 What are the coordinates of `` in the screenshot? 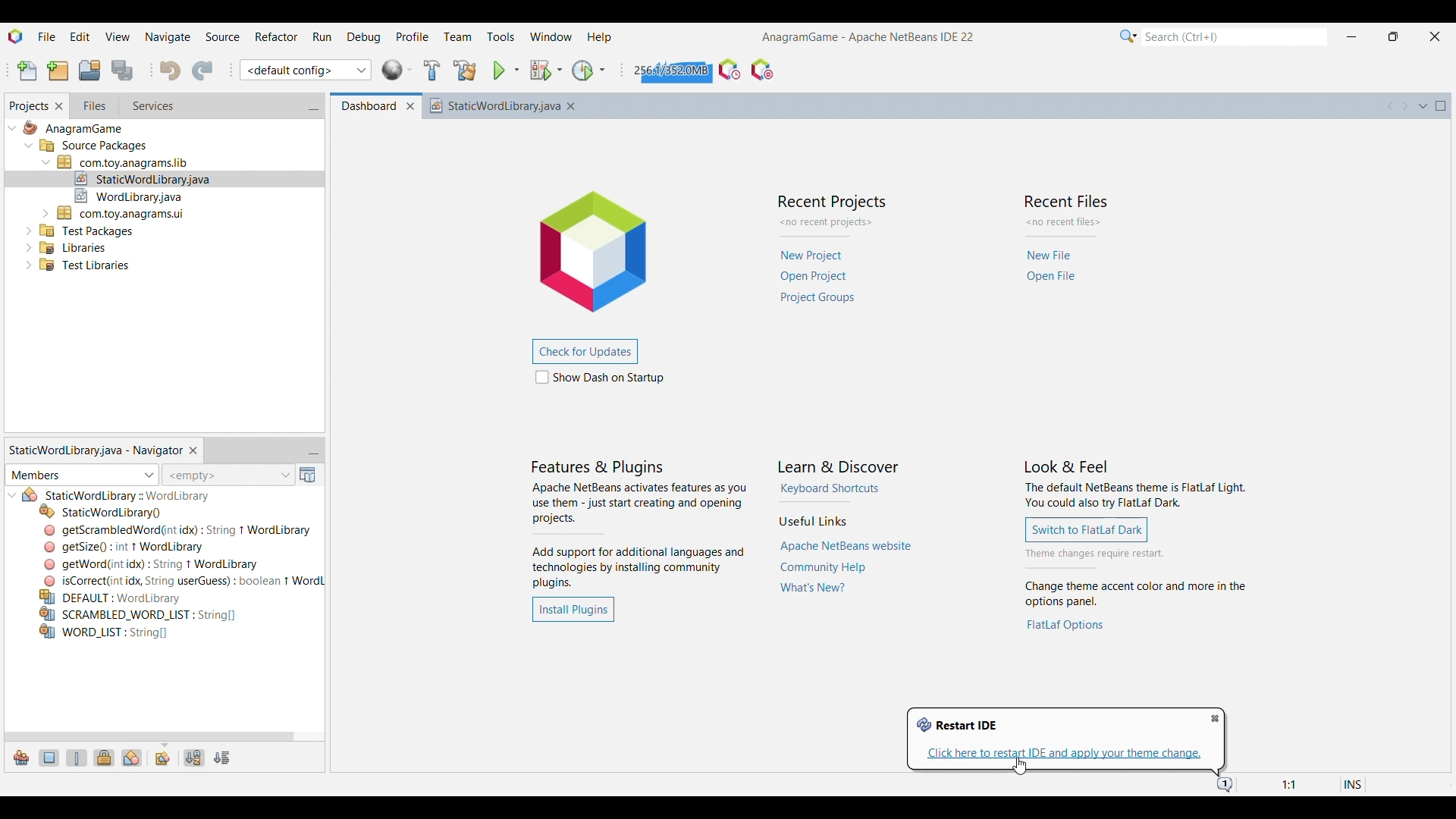 It's located at (94, 147).